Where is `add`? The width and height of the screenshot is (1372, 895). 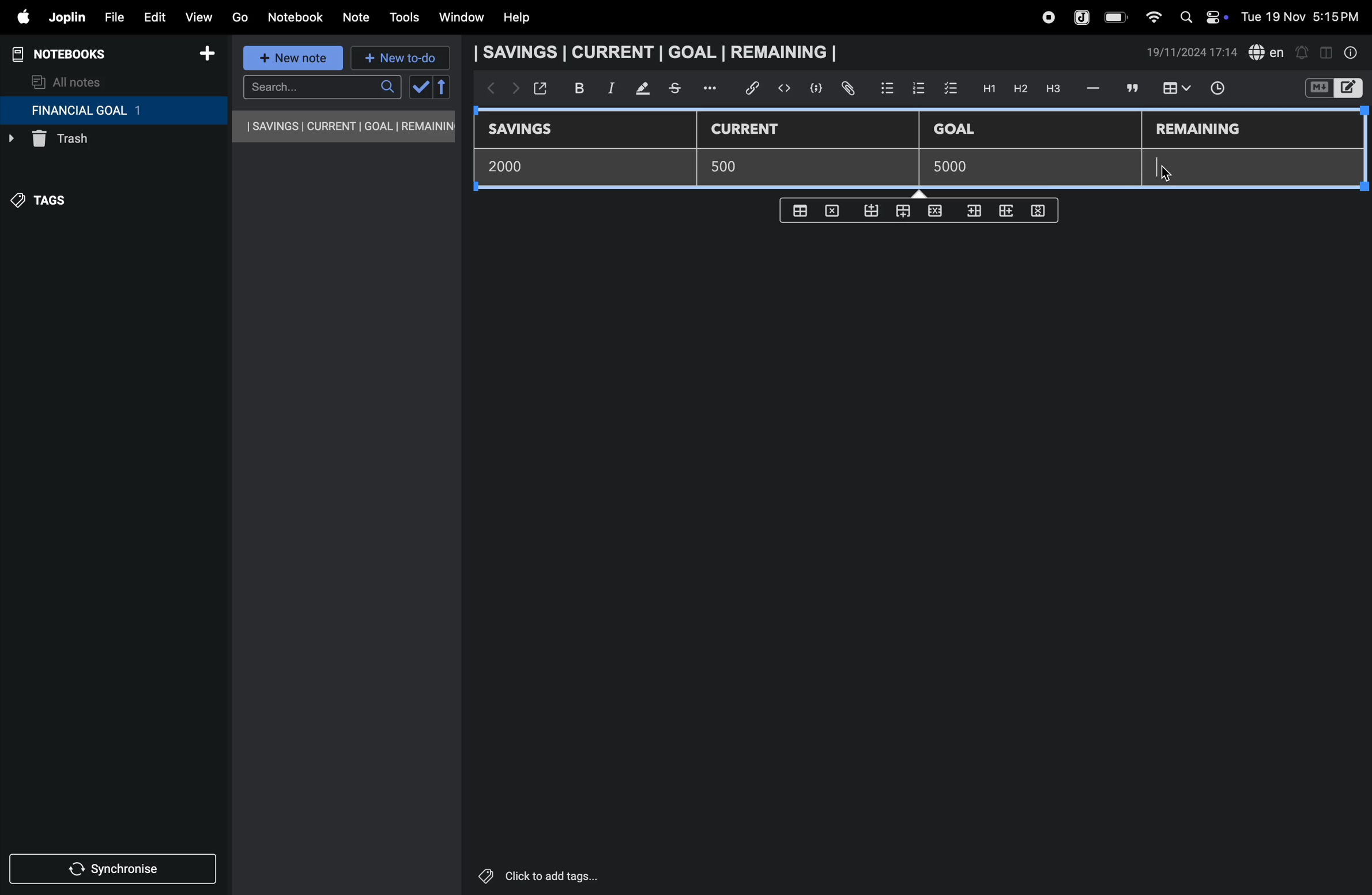 add is located at coordinates (207, 55).